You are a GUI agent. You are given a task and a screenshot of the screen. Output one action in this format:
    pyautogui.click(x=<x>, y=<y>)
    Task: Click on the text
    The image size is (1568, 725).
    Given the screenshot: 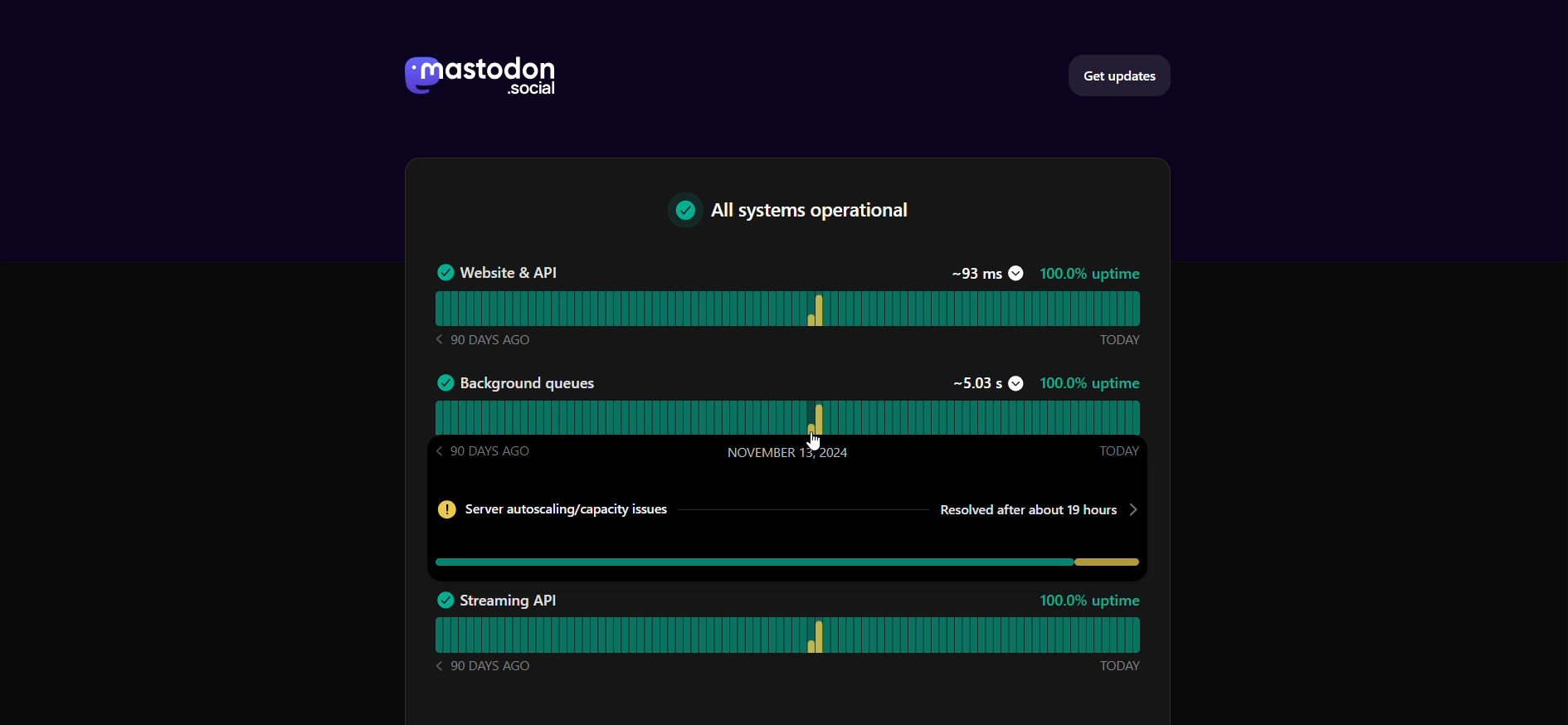 What is the action you would take?
    pyautogui.click(x=795, y=210)
    